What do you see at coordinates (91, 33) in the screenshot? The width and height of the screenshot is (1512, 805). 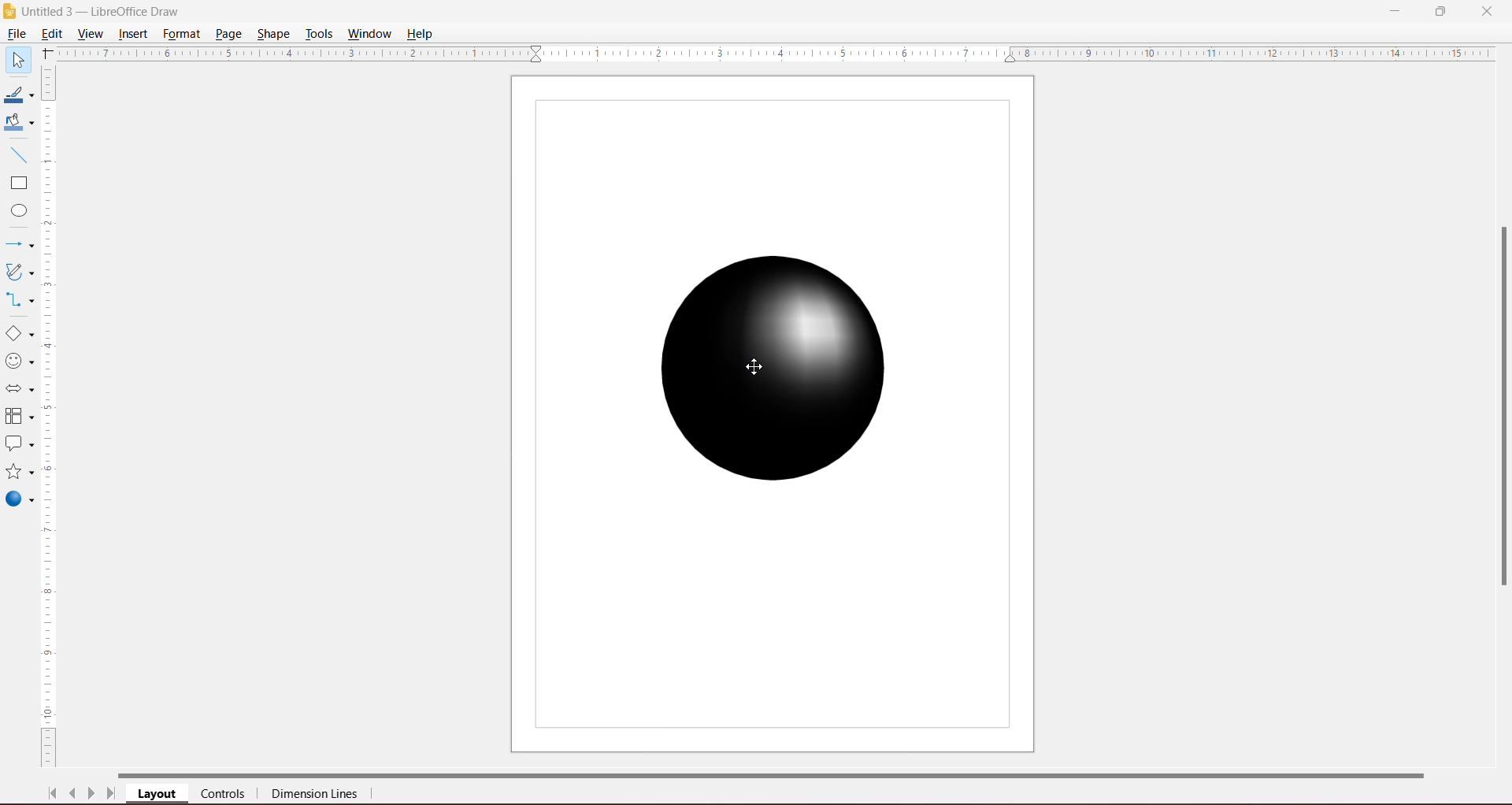 I see `View` at bounding box center [91, 33].